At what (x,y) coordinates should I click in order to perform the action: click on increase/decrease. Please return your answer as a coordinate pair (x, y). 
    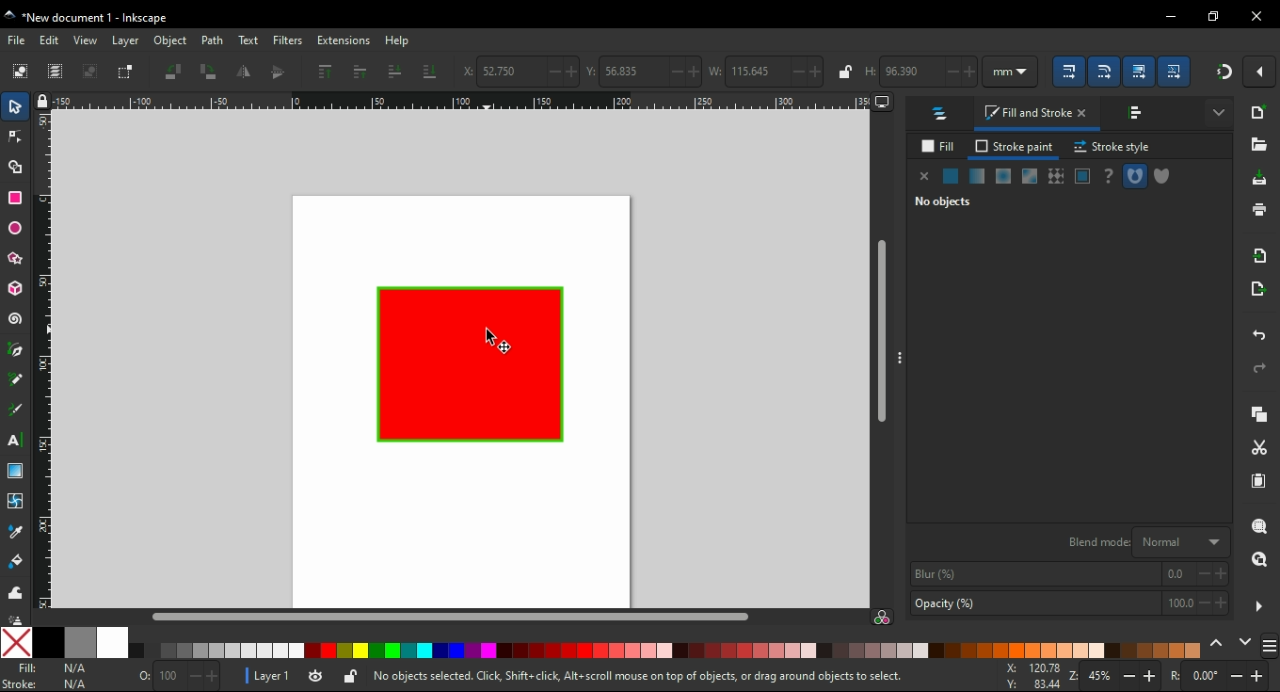
    Looking at the image, I should click on (684, 72).